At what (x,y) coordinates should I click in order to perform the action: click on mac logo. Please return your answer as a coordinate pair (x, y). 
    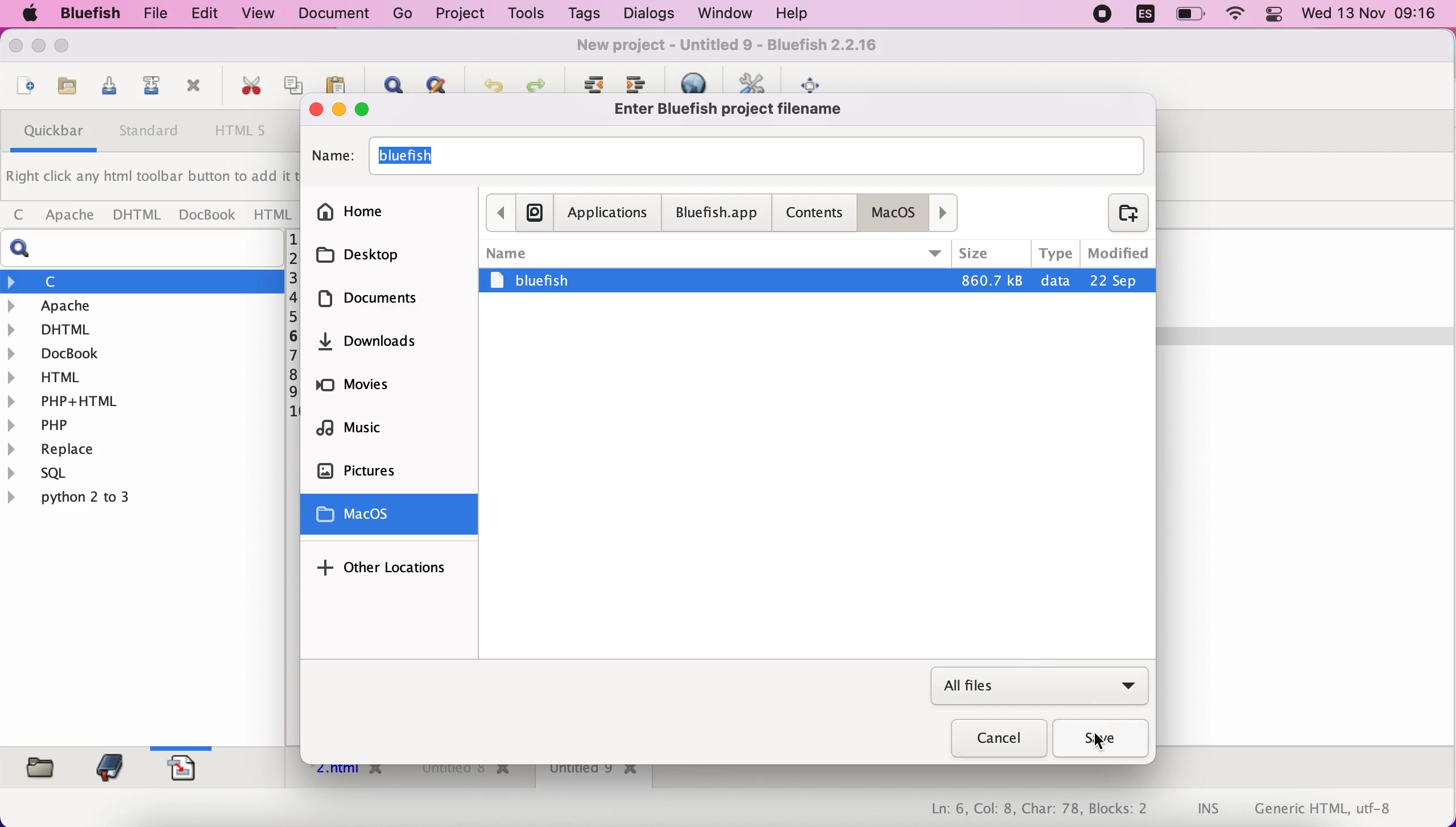
    Looking at the image, I should click on (27, 15).